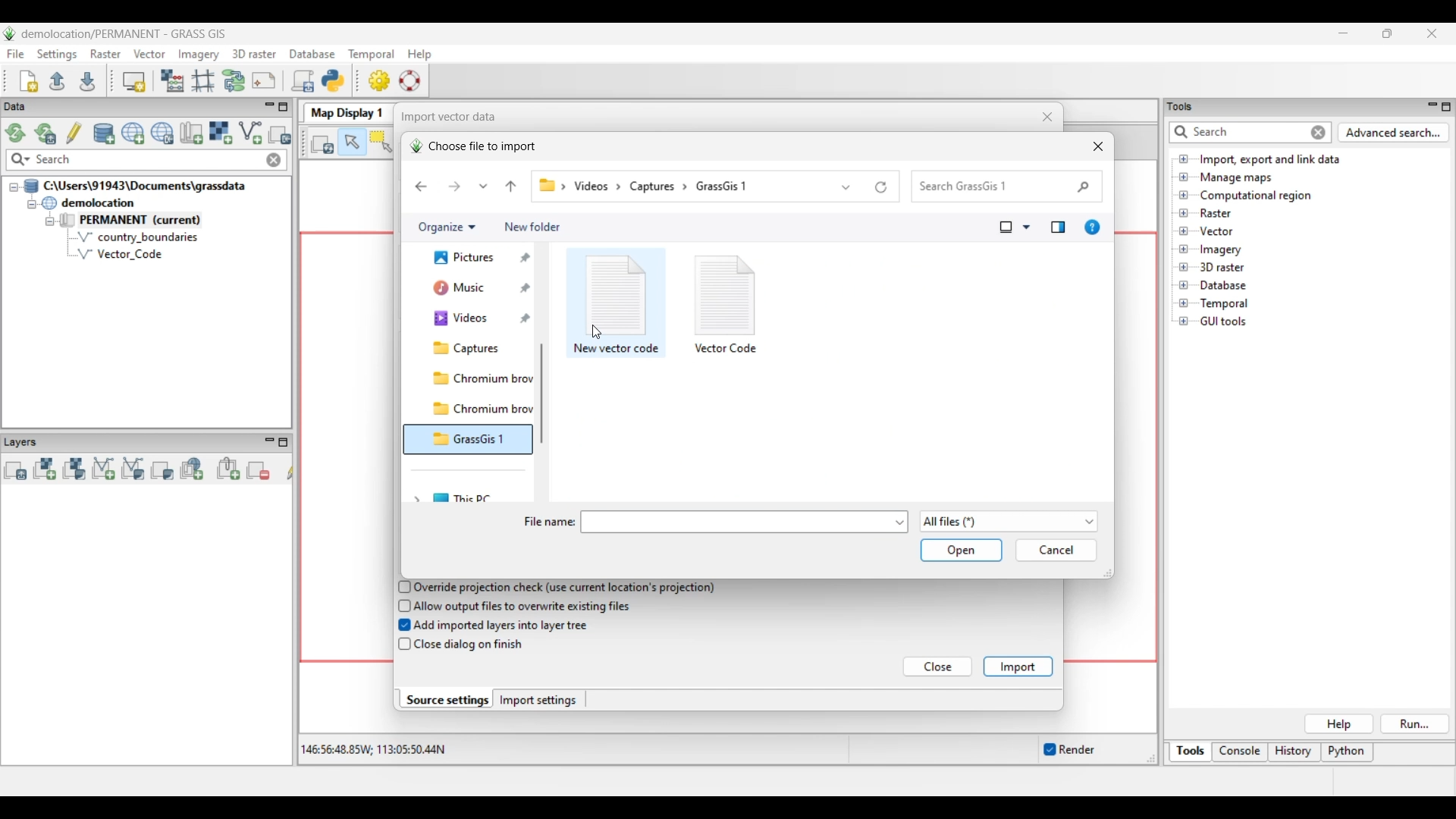 The image size is (1456, 819). What do you see at coordinates (16, 54) in the screenshot?
I see `File menu` at bounding box center [16, 54].